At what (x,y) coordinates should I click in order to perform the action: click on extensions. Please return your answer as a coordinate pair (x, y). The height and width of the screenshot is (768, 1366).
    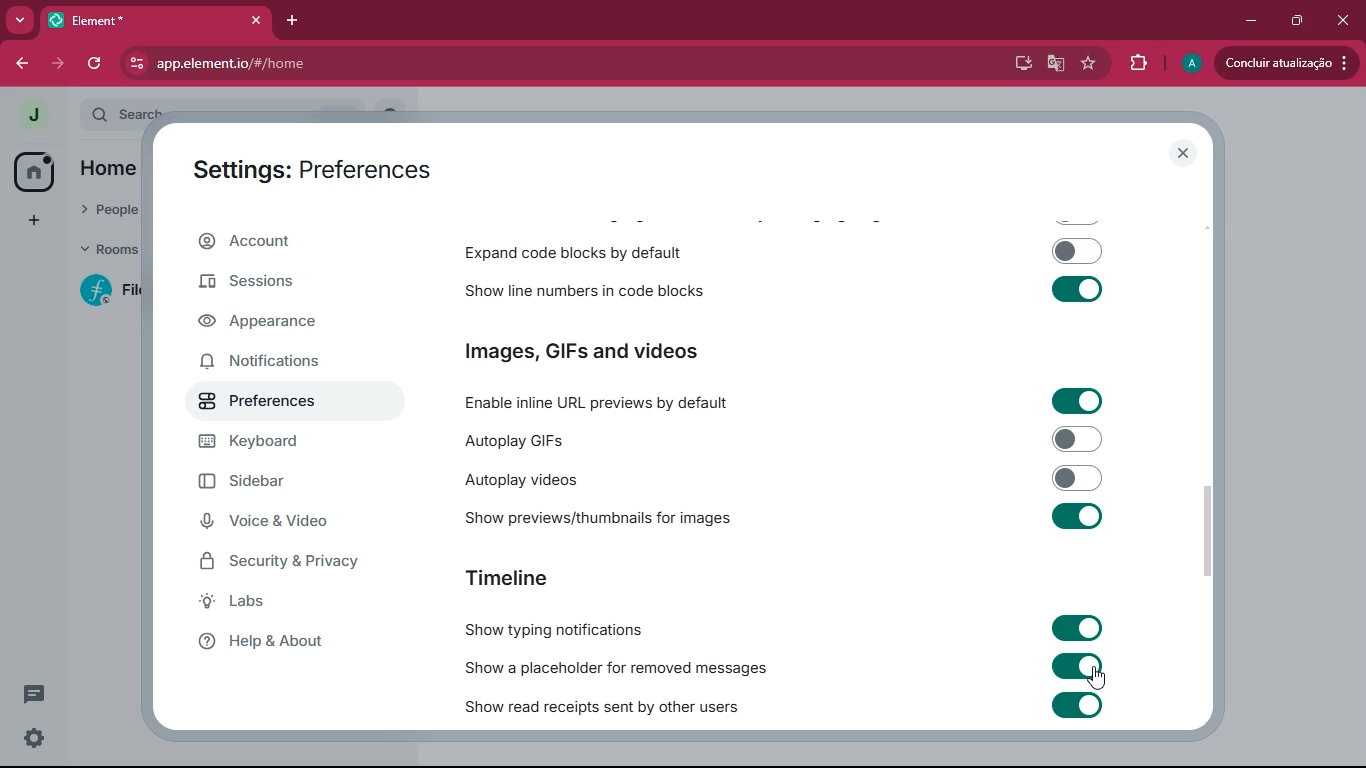
    Looking at the image, I should click on (1141, 65).